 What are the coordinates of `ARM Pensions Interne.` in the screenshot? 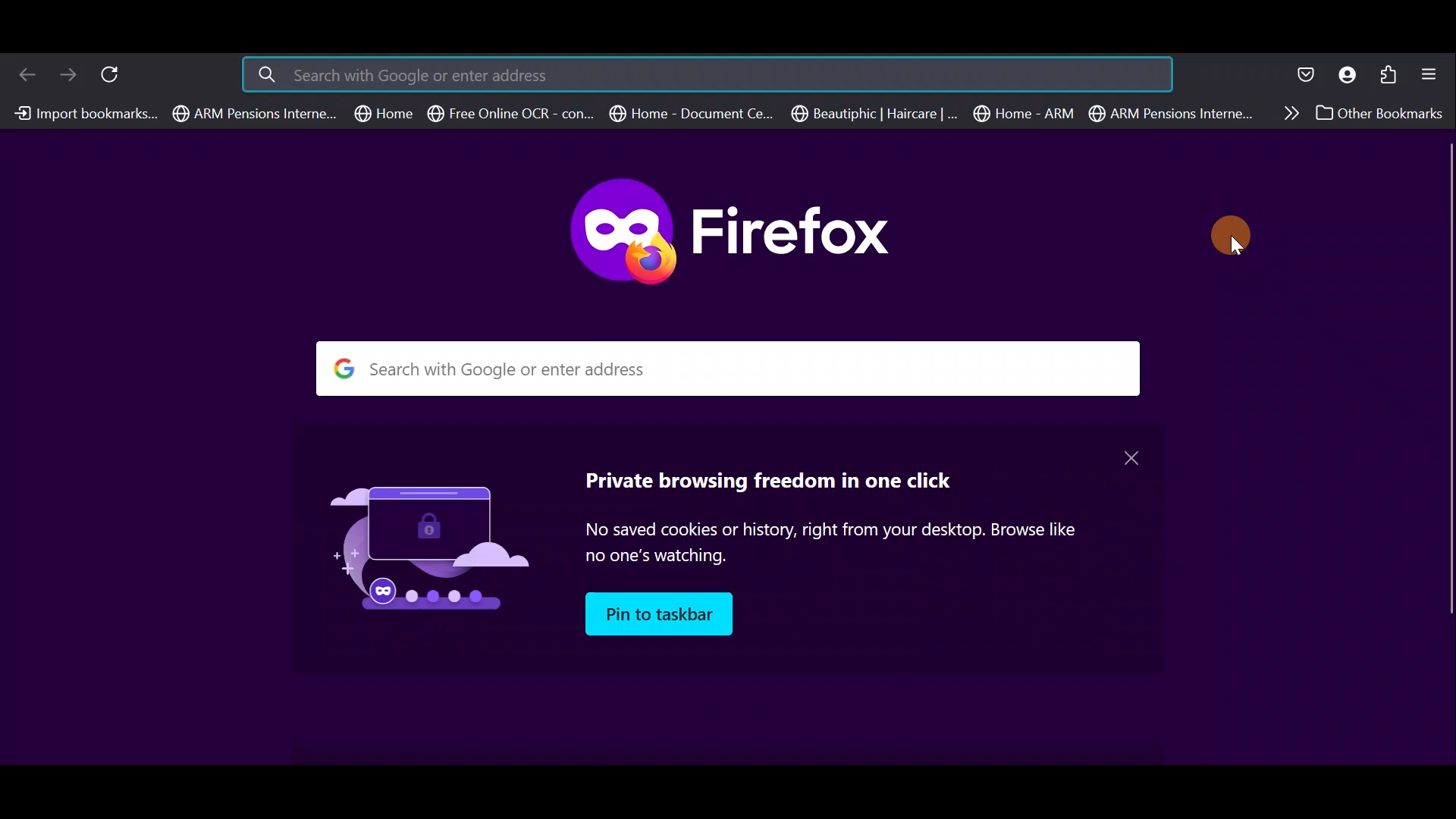 It's located at (1169, 114).